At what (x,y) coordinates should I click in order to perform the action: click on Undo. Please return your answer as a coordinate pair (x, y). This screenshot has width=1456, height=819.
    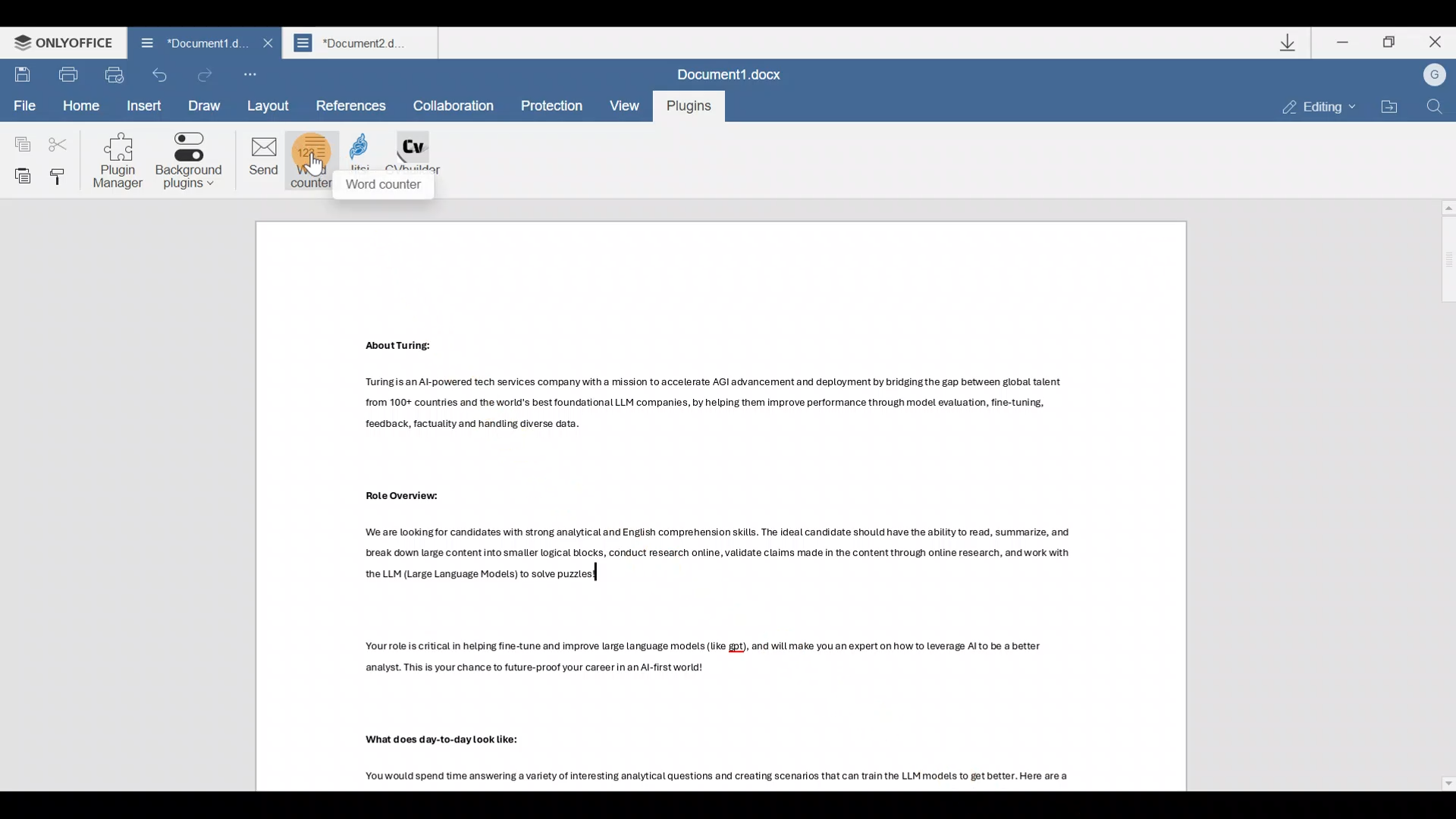
    Looking at the image, I should click on (159, 76).